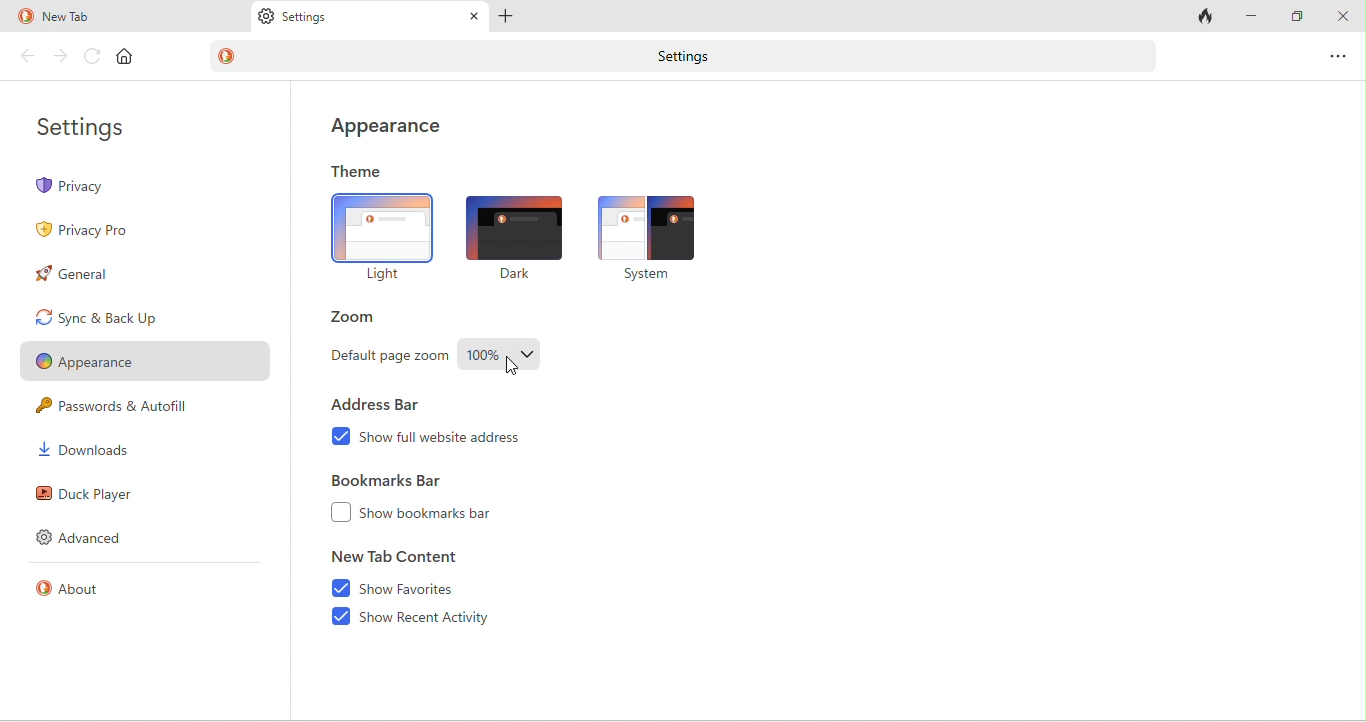 This screenshot has width=1366, height=722. Describe the element at coordinates (80, 592) in the screenshot. I see `about` at that location.